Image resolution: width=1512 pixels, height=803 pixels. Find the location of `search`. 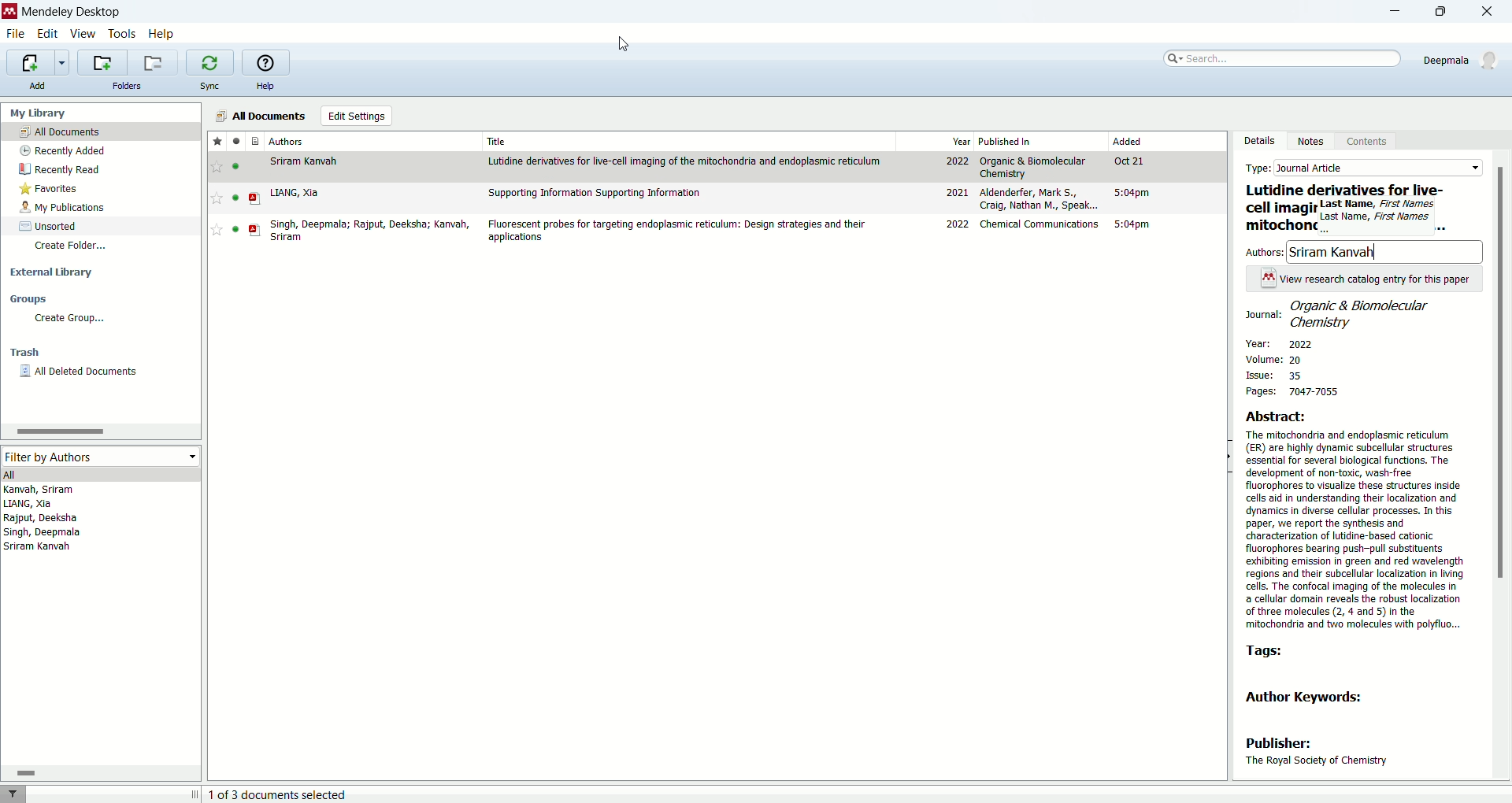

search is located at coordinates (1275, 60).